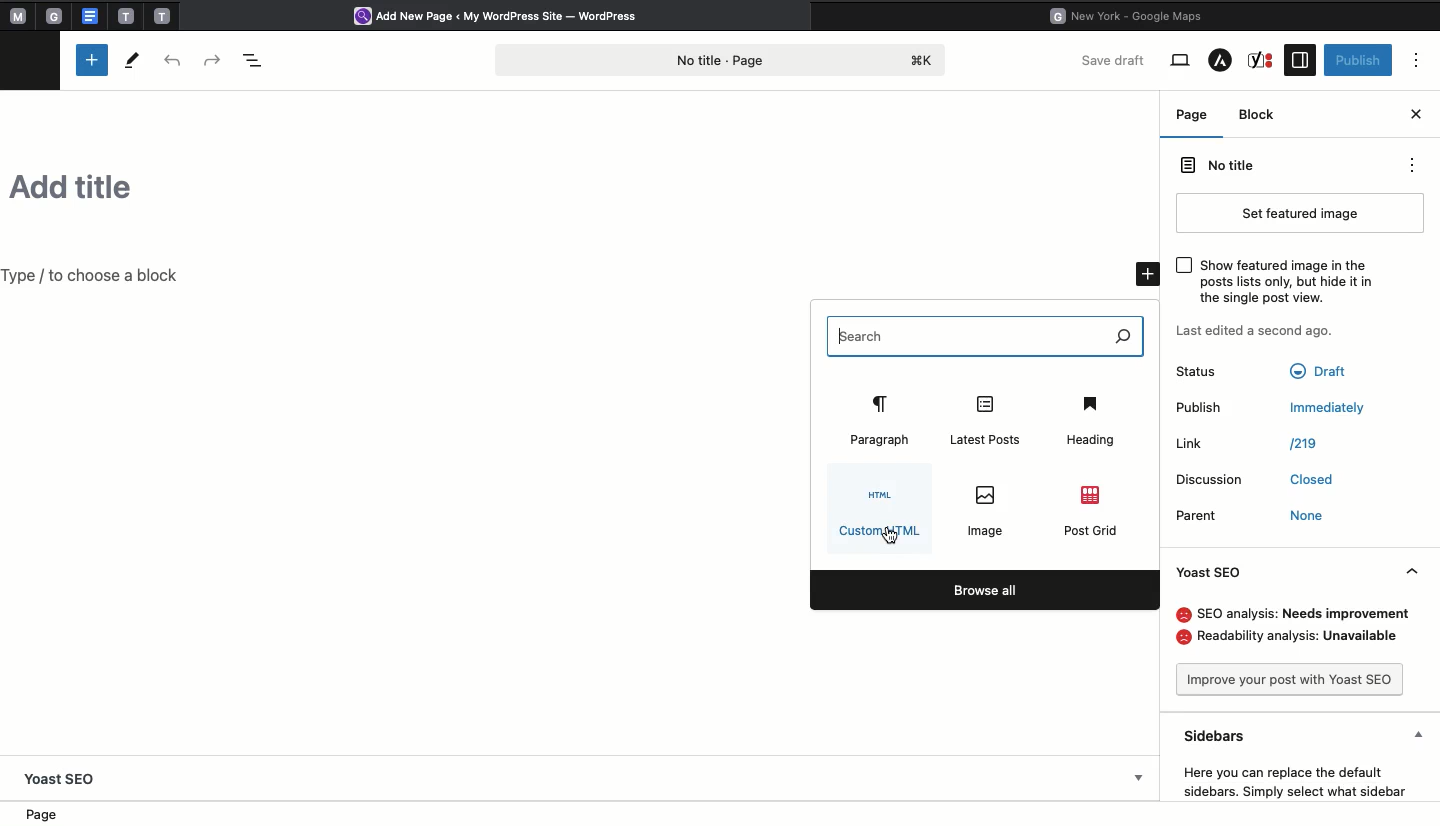  Describe the element at coordinates (1180, 61) in the screenshot. I see `View` at that location.